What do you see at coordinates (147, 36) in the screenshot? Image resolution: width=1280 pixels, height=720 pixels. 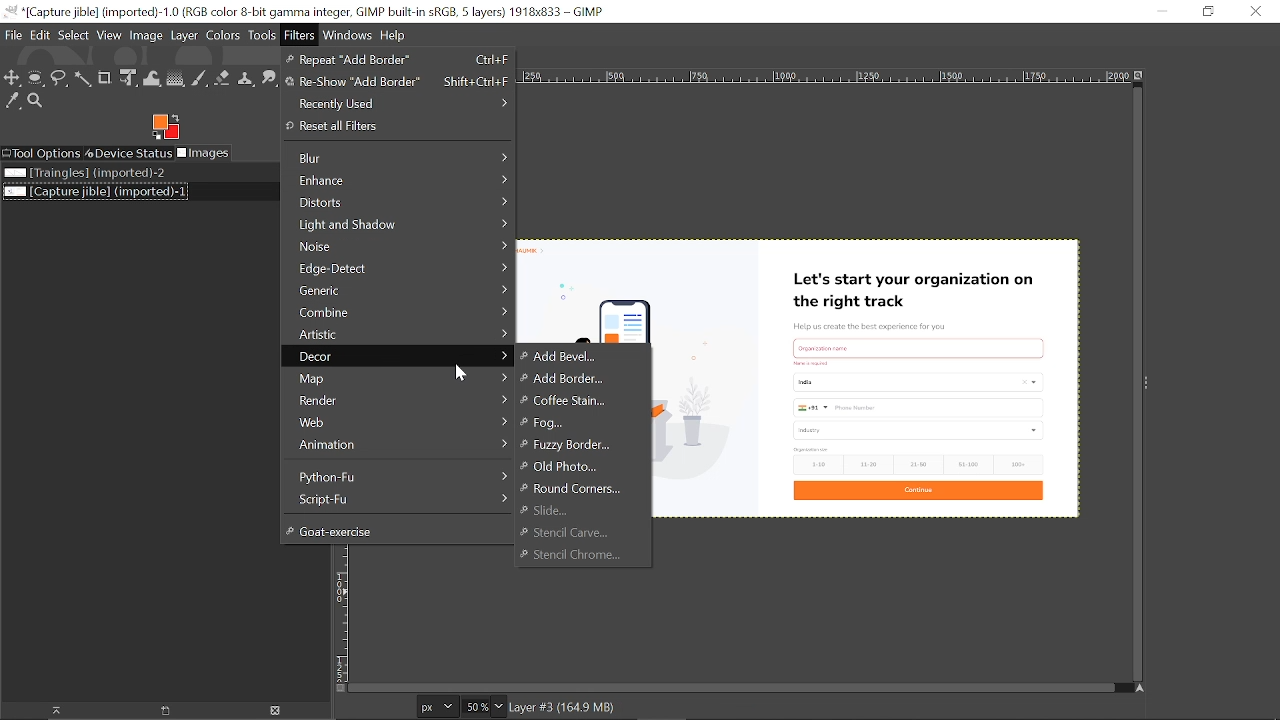 I see `Image` at bounding box center [147, 36].